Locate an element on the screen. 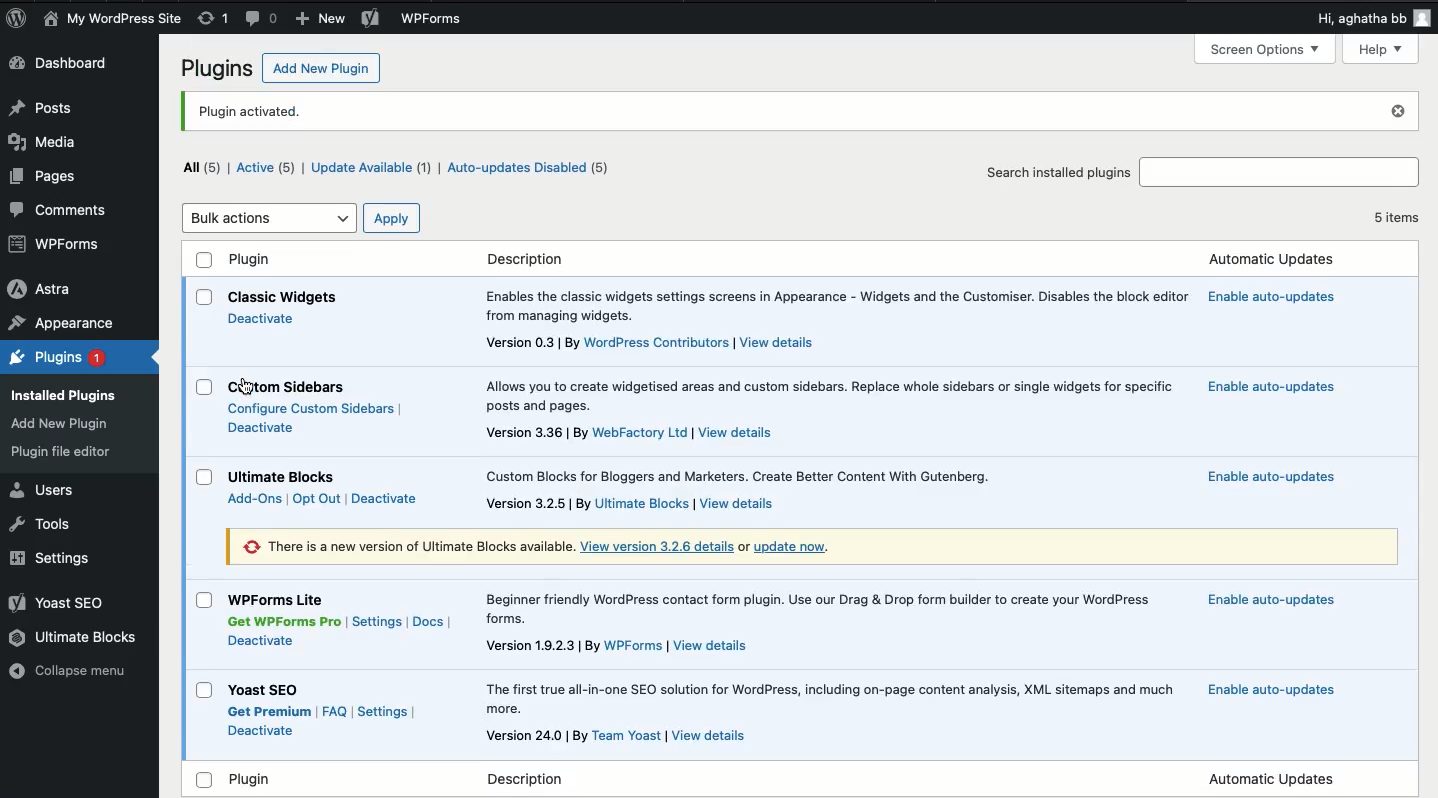  input box is located at coordinates (1281, 170).